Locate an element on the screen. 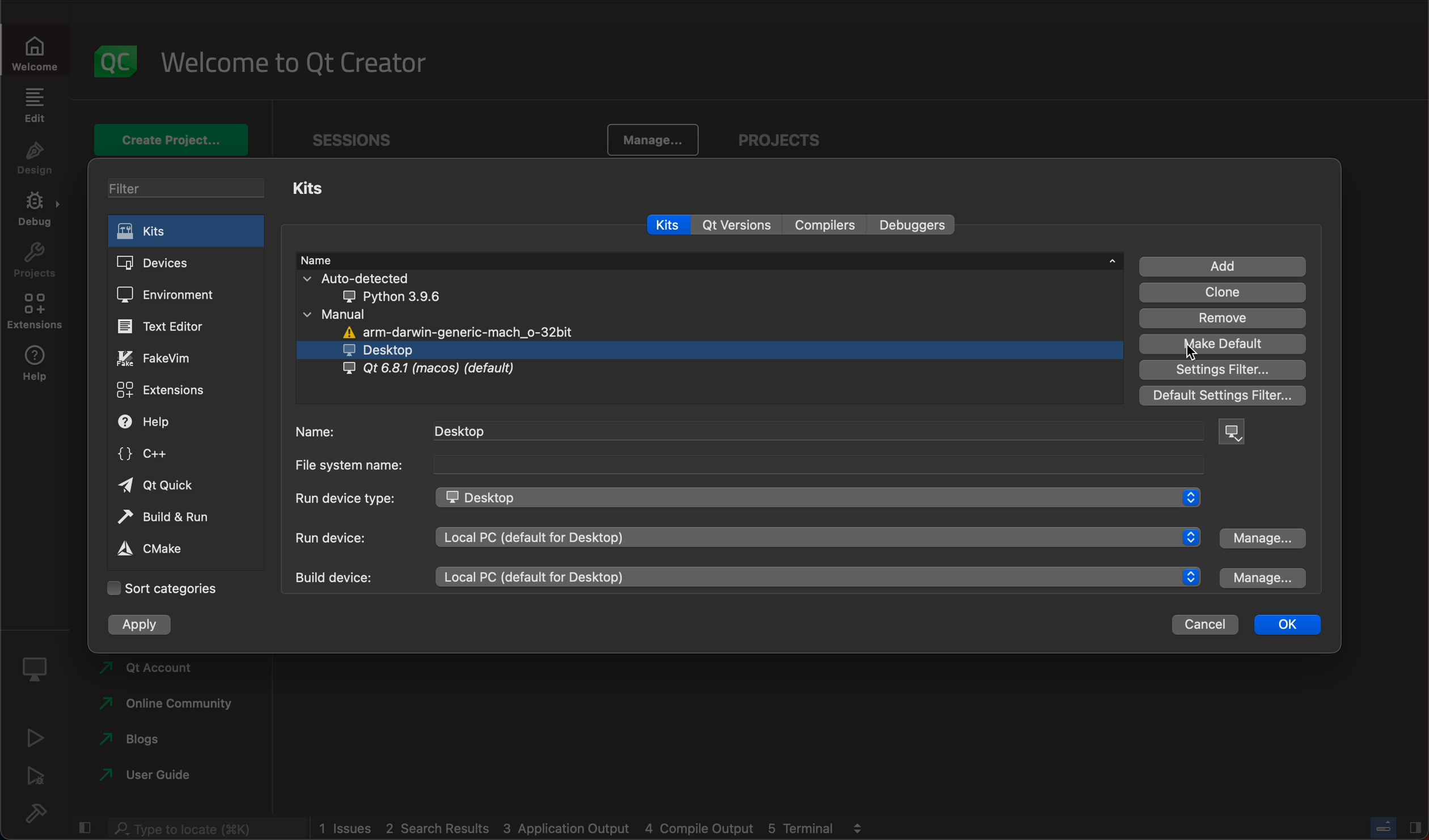 This screenshot has height=840, width=1429. build device: is located at coordinates (336, 573).